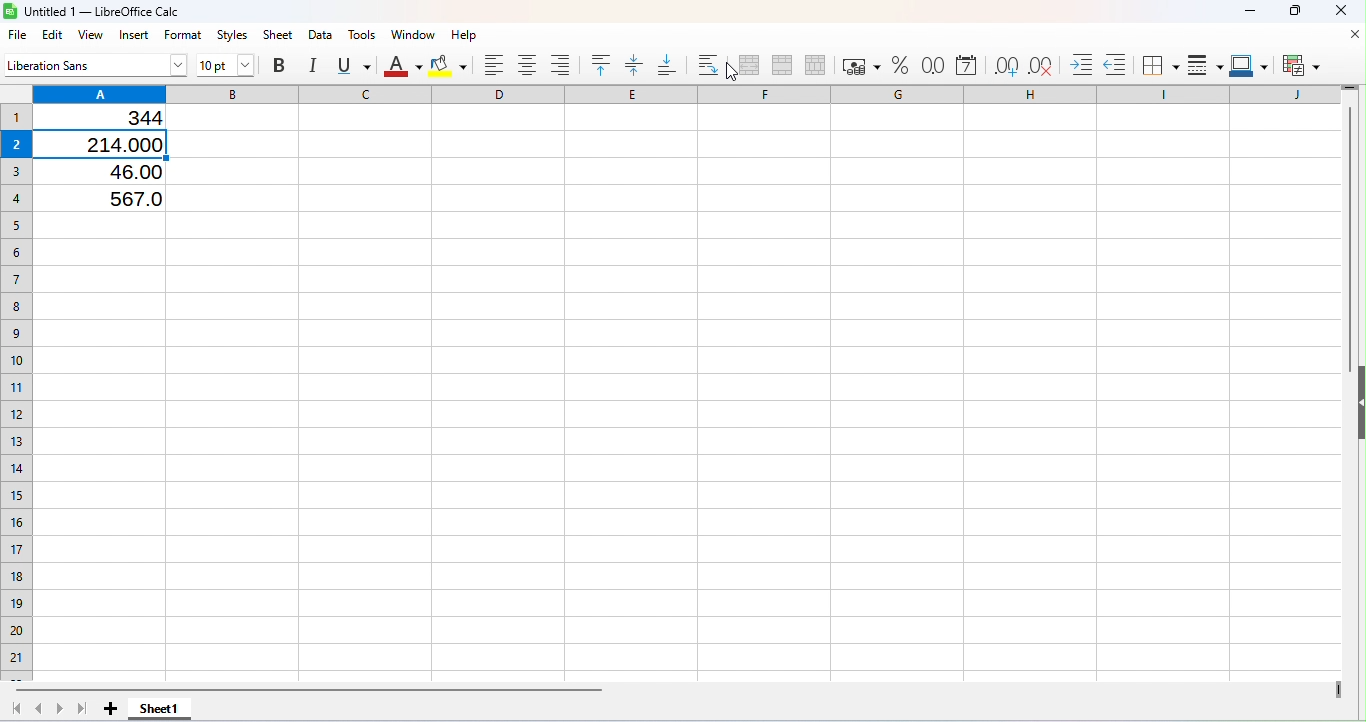  Describe the element at coordinates (355, 63) in the screenshot. I see `Underline` at that location.